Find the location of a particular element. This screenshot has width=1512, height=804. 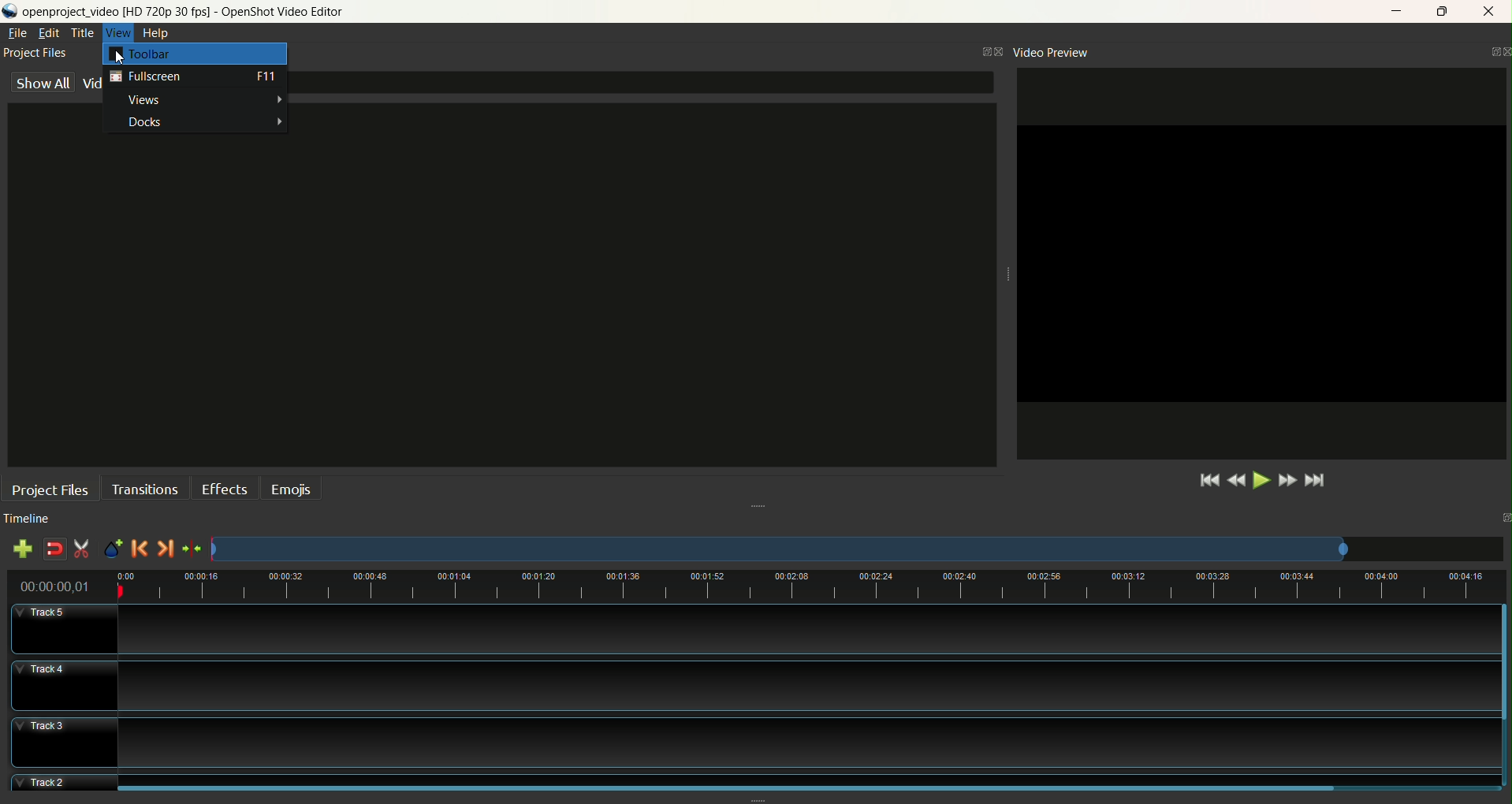

add marker is located at coordinates (115, 549).